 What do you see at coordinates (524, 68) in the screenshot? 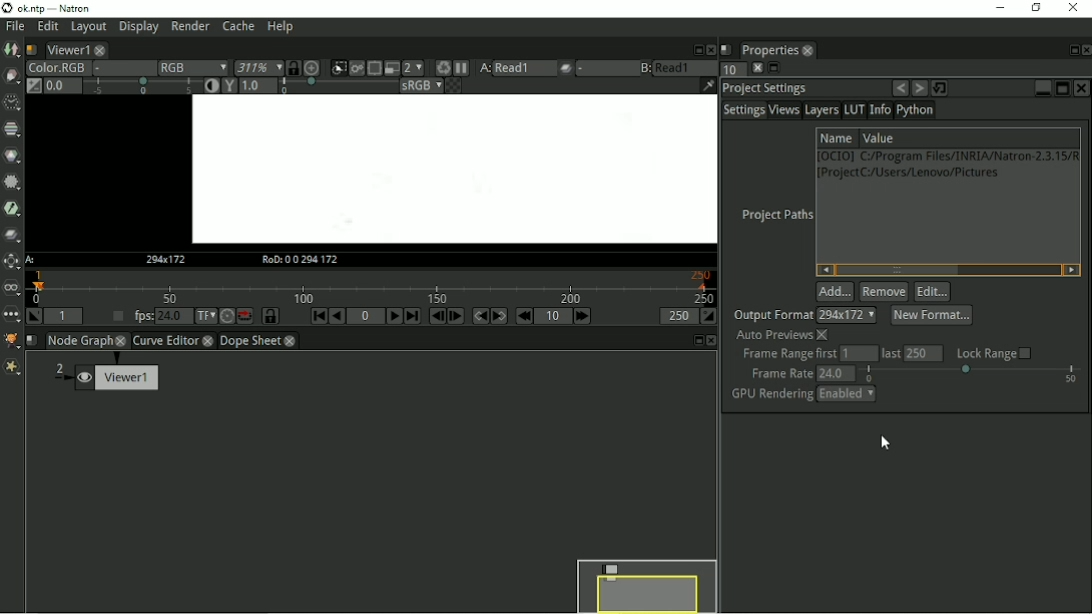
I see `a menu` at bounding box center [524, 68].